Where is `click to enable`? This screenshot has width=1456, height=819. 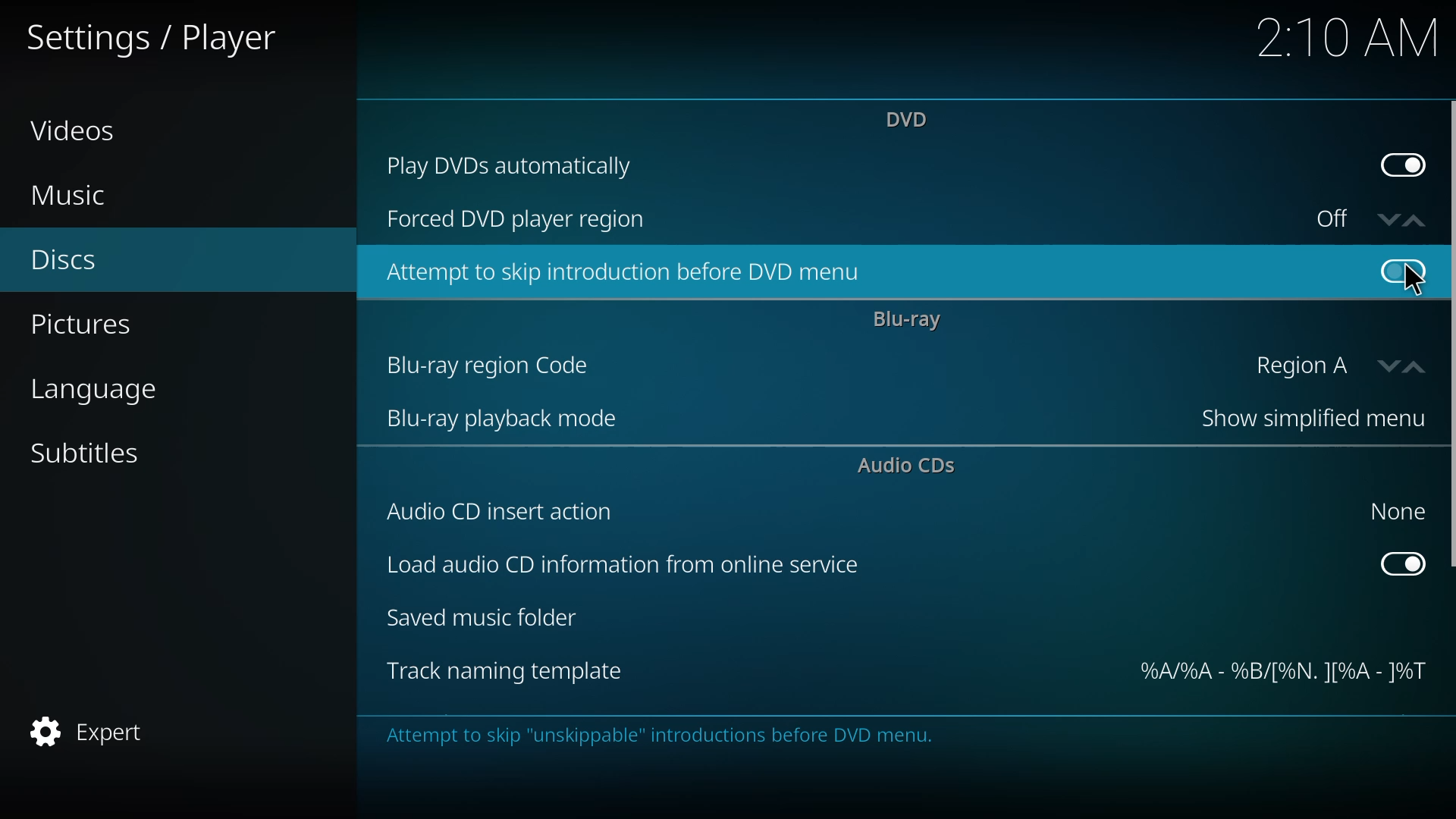
click to enable is located at coordinates (1404, 270).